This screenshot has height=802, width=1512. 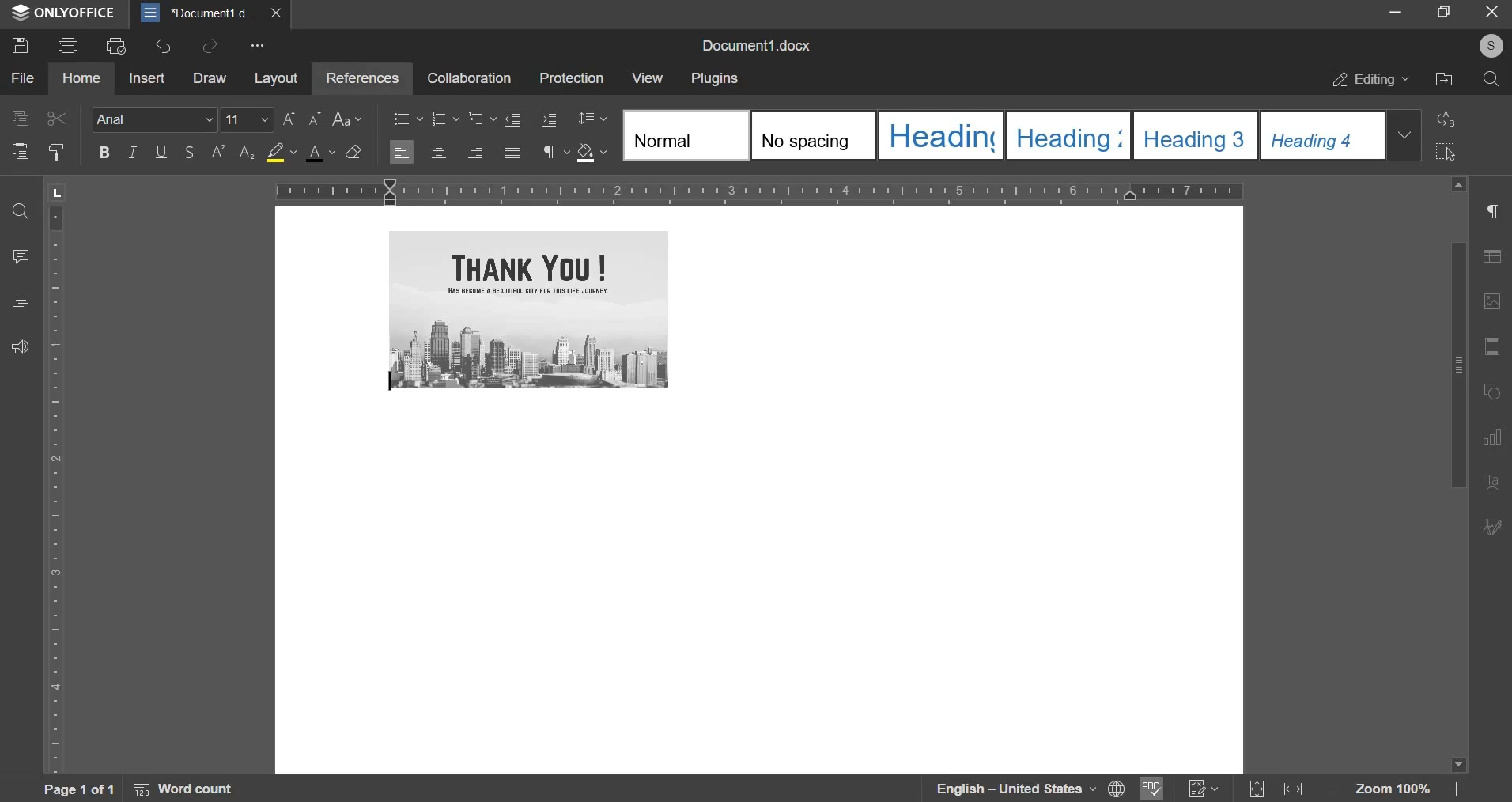 I want to click on collaboration, so click(x=469, y=78).